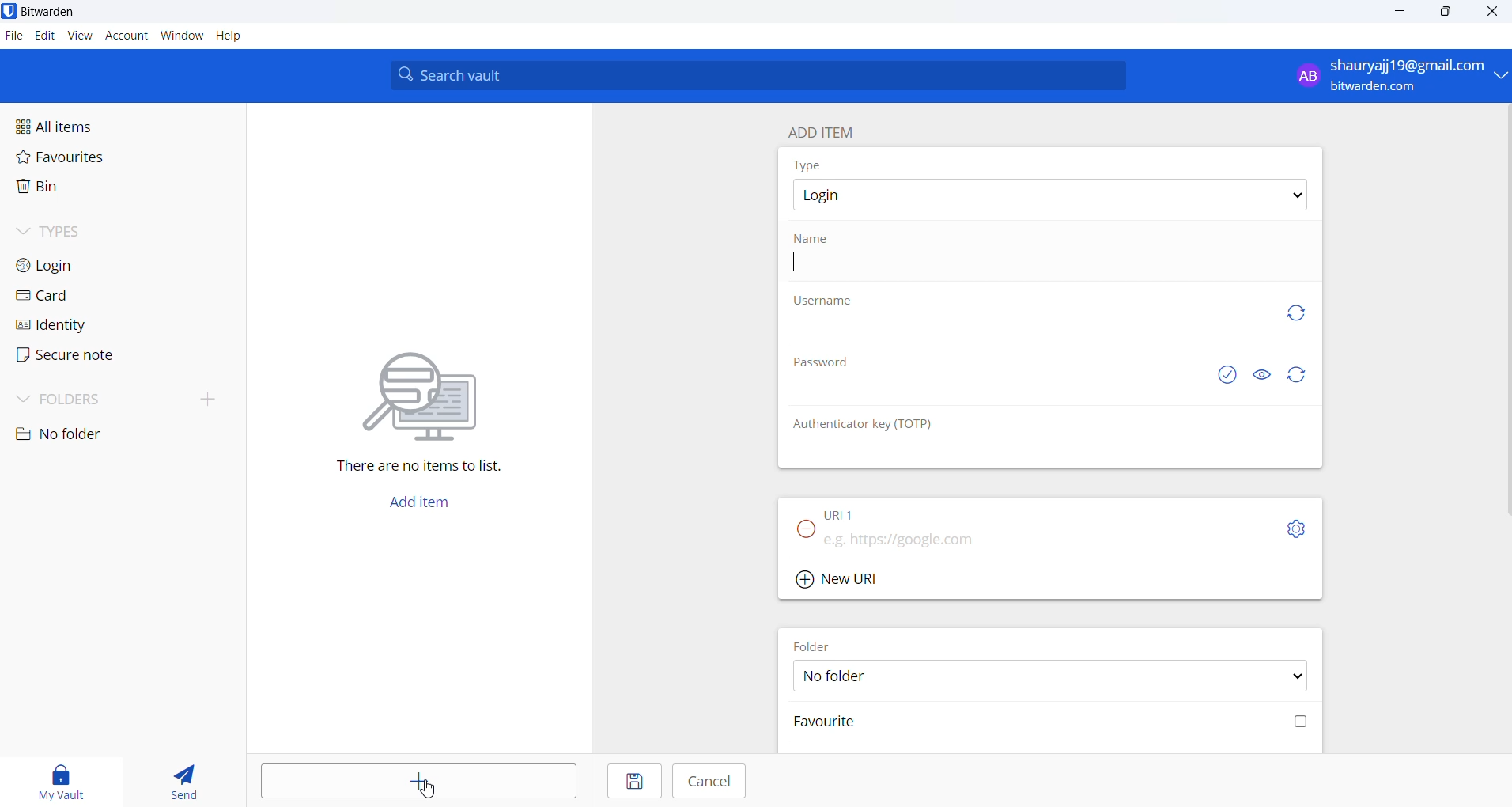  I want to click on Bitwarden, so click(50, 12).